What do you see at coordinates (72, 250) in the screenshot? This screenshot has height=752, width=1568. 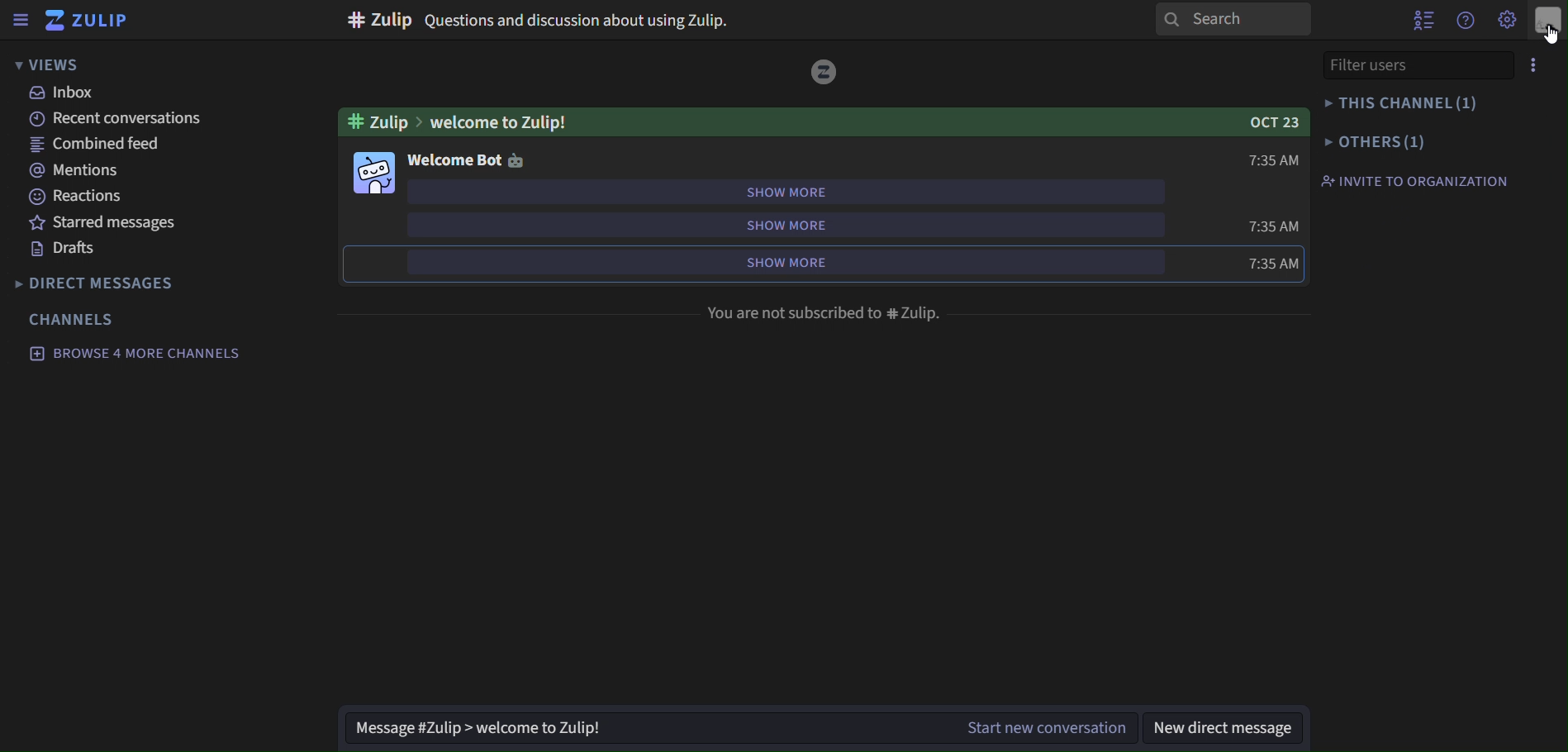 I see `drafts` at bounding box center [72, 250].